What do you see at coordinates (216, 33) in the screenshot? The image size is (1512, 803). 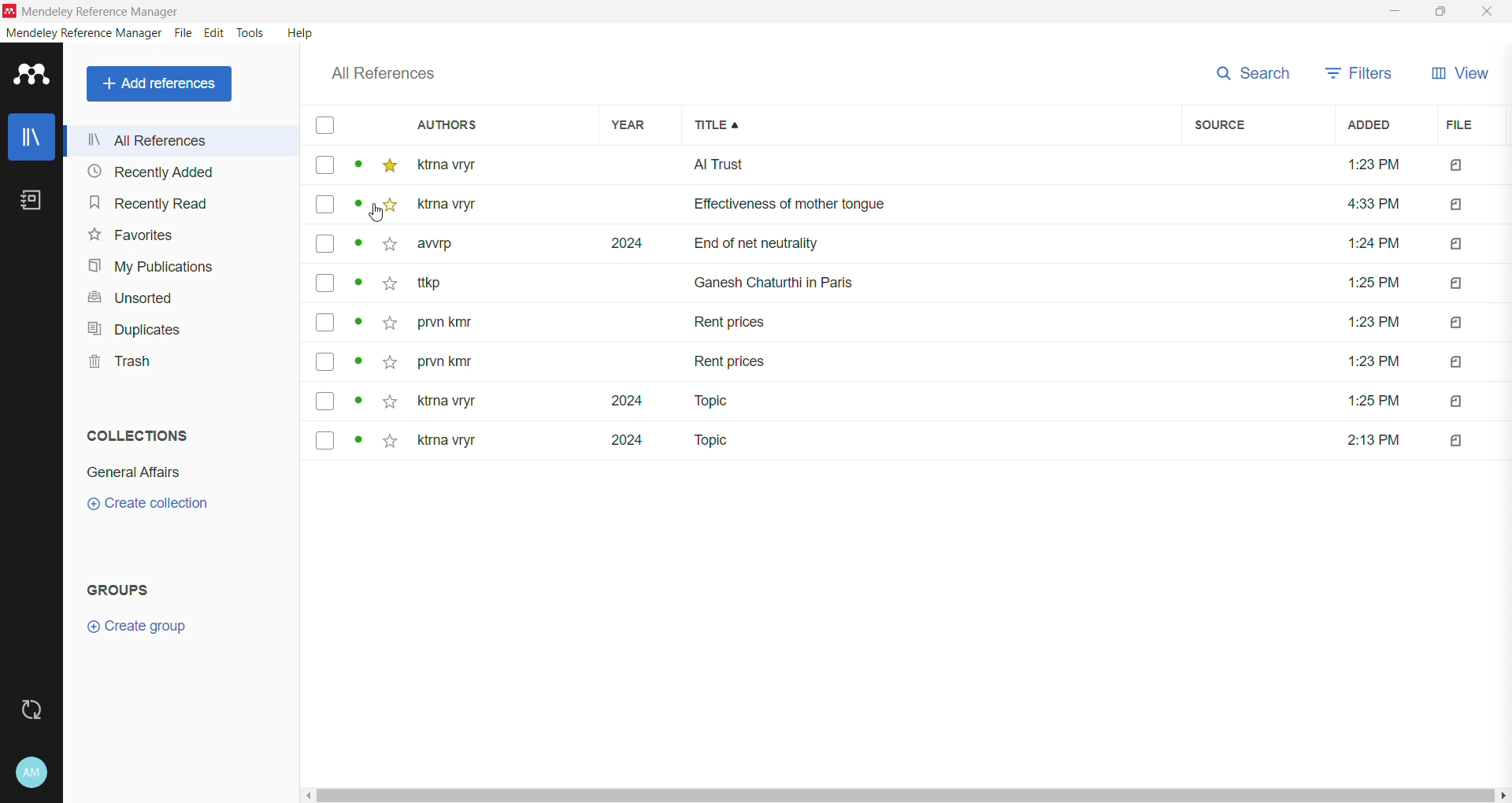 I see `Edit` at bounding box center [216, 33].